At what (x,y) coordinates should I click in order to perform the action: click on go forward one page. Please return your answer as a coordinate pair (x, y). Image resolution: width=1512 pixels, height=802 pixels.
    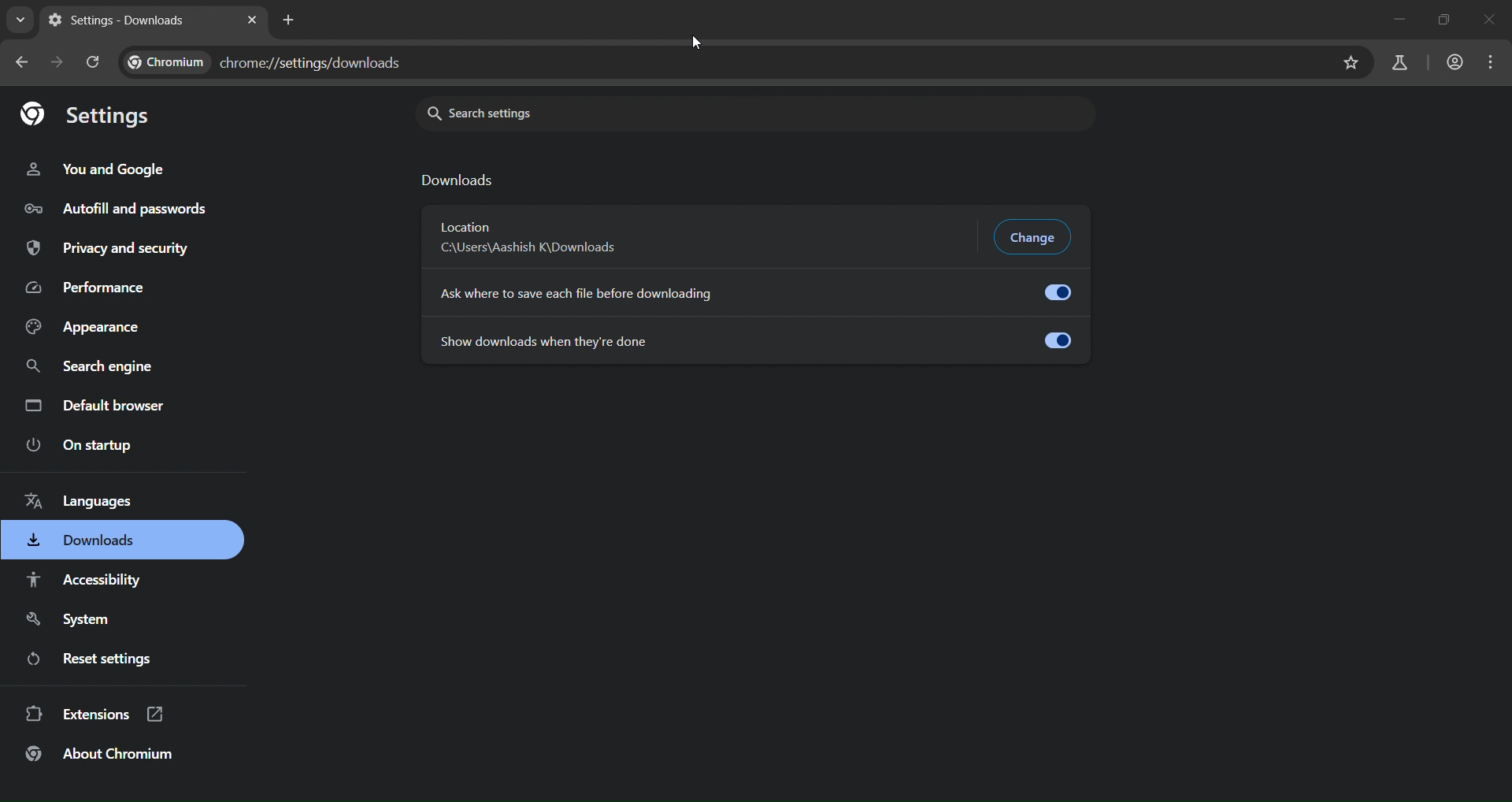
    Looking at the image, I should click on (53, 61).